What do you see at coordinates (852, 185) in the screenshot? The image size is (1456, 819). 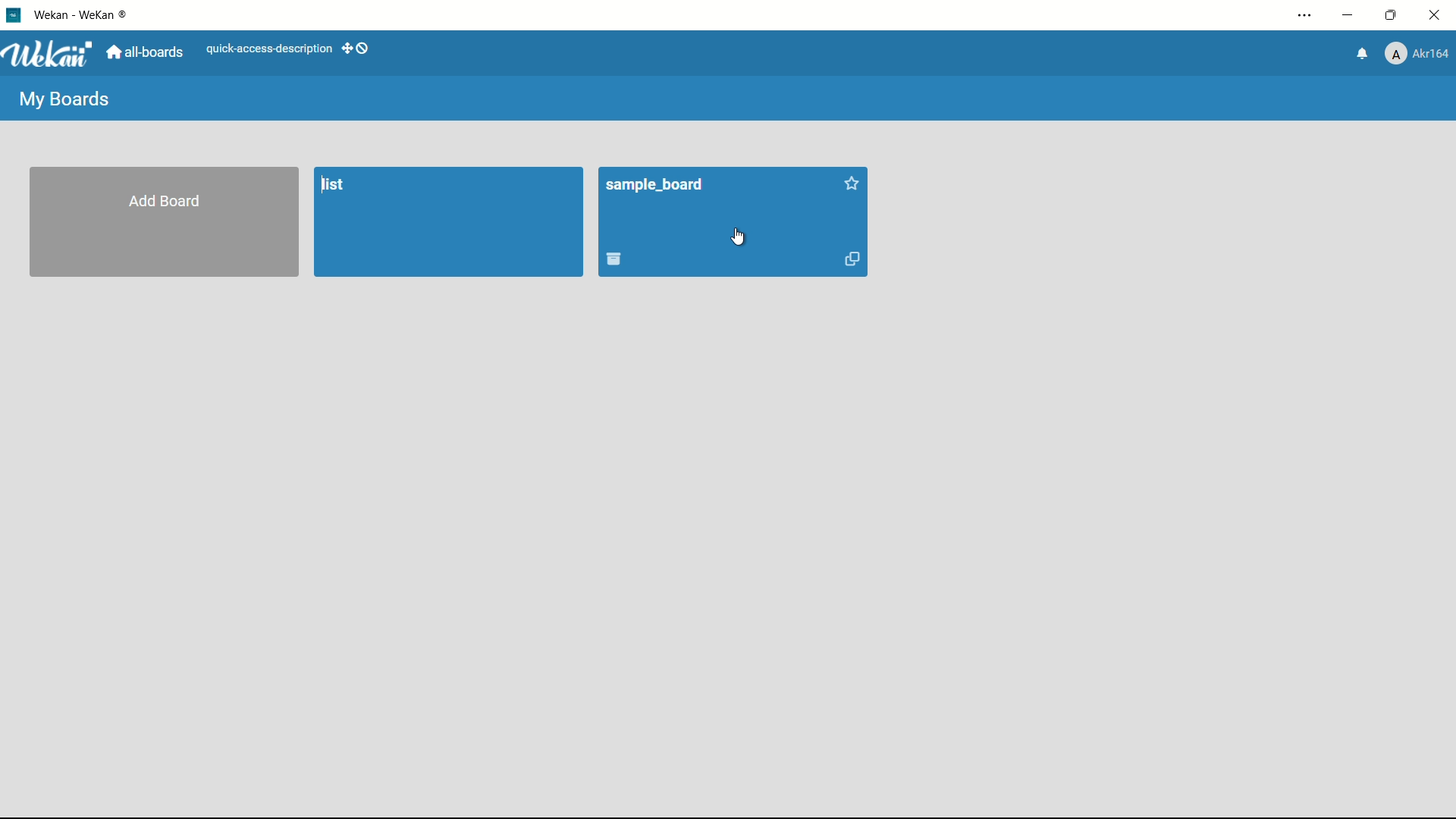 I see `star this board` at bounding box center [852, 185].